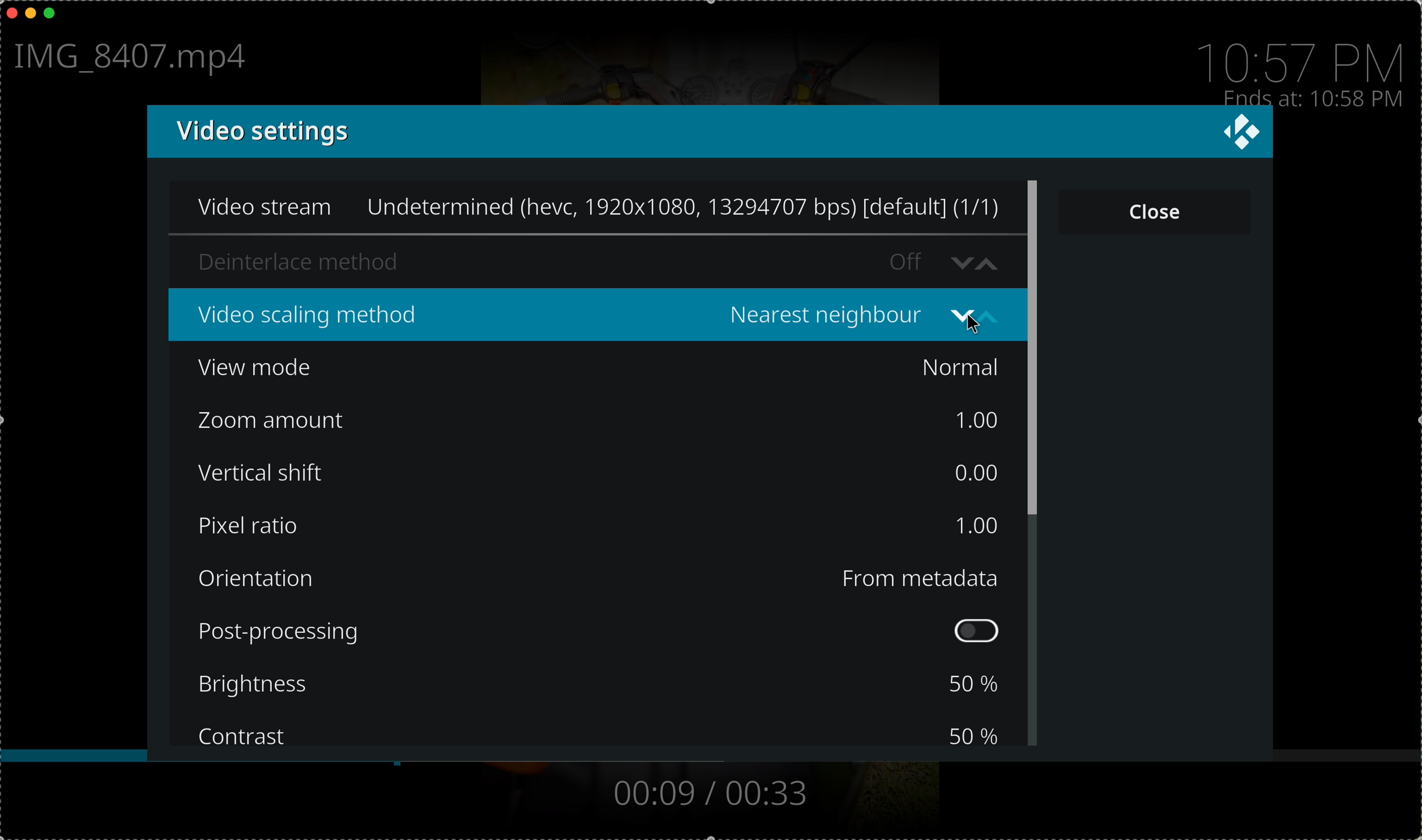  Describe the element at coordinates (667, 132) in the screenshot. I see `video settings` at that location.